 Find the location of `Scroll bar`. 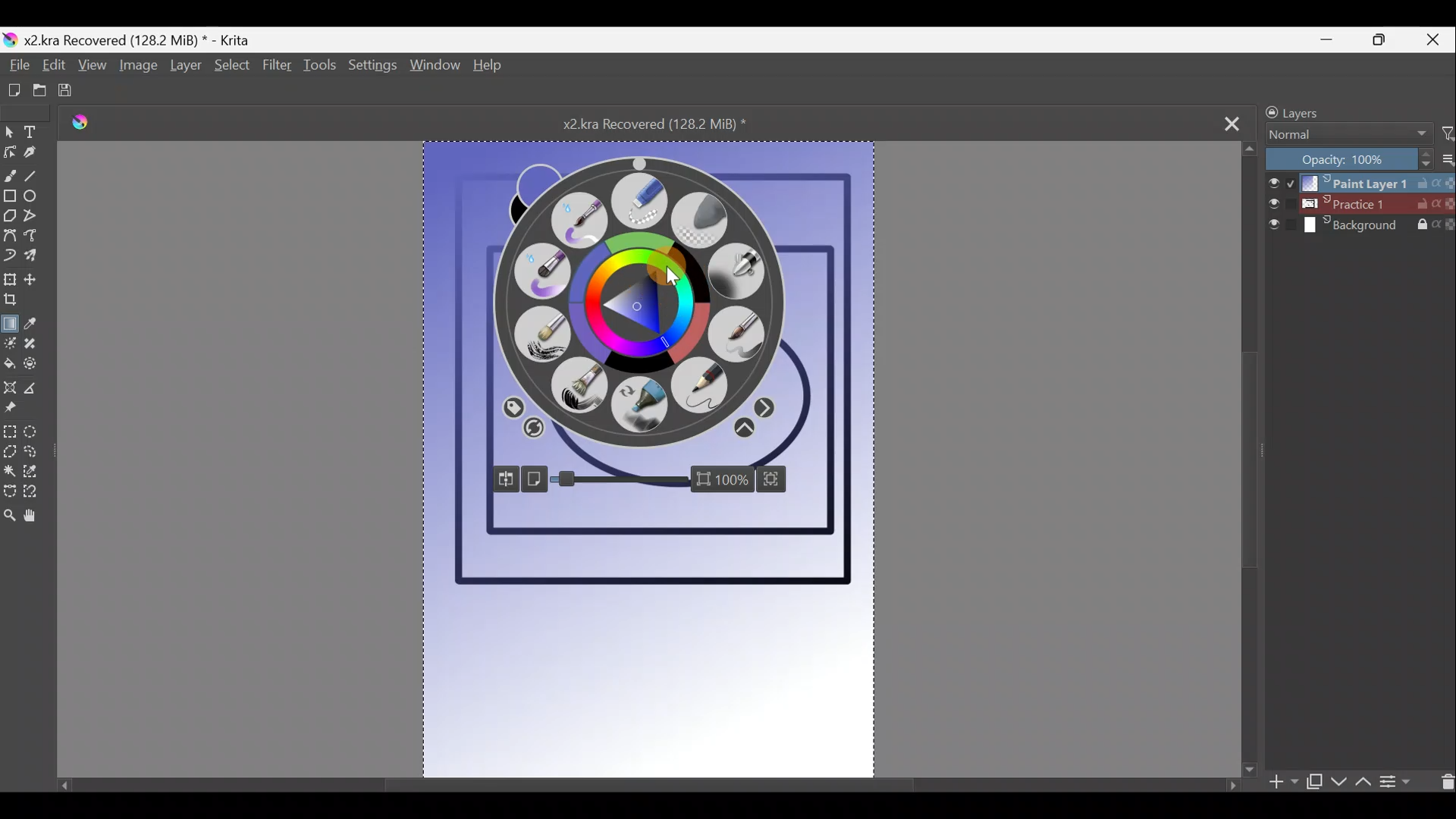

Scroll bar is located at coordinates (1250, 457).